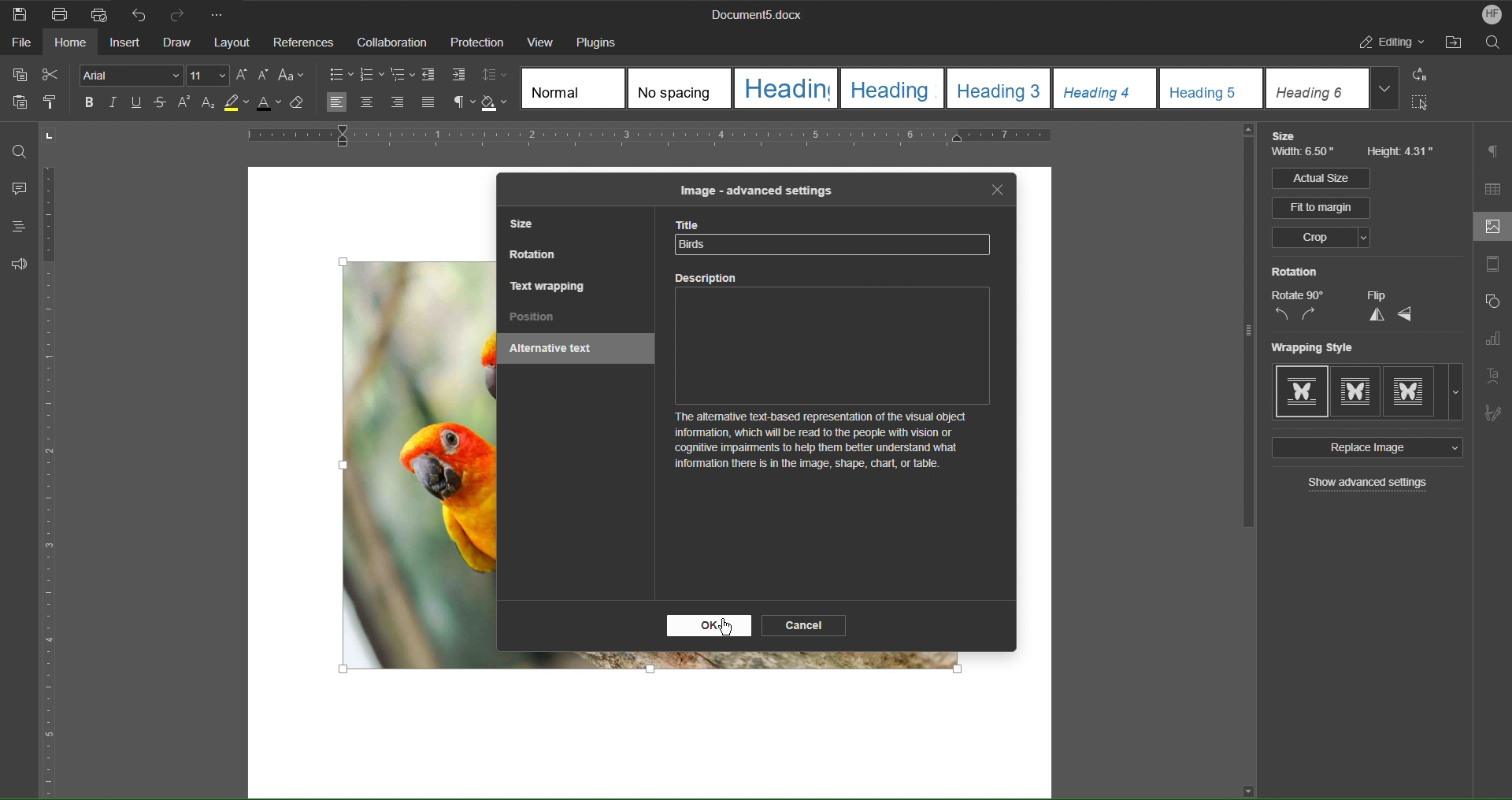 Image resolution: width=1512 pixels, height=800 pixels. Describe the element at coordinates (1492, 342) in the screenshot. I see `Graph Settings` at that location.